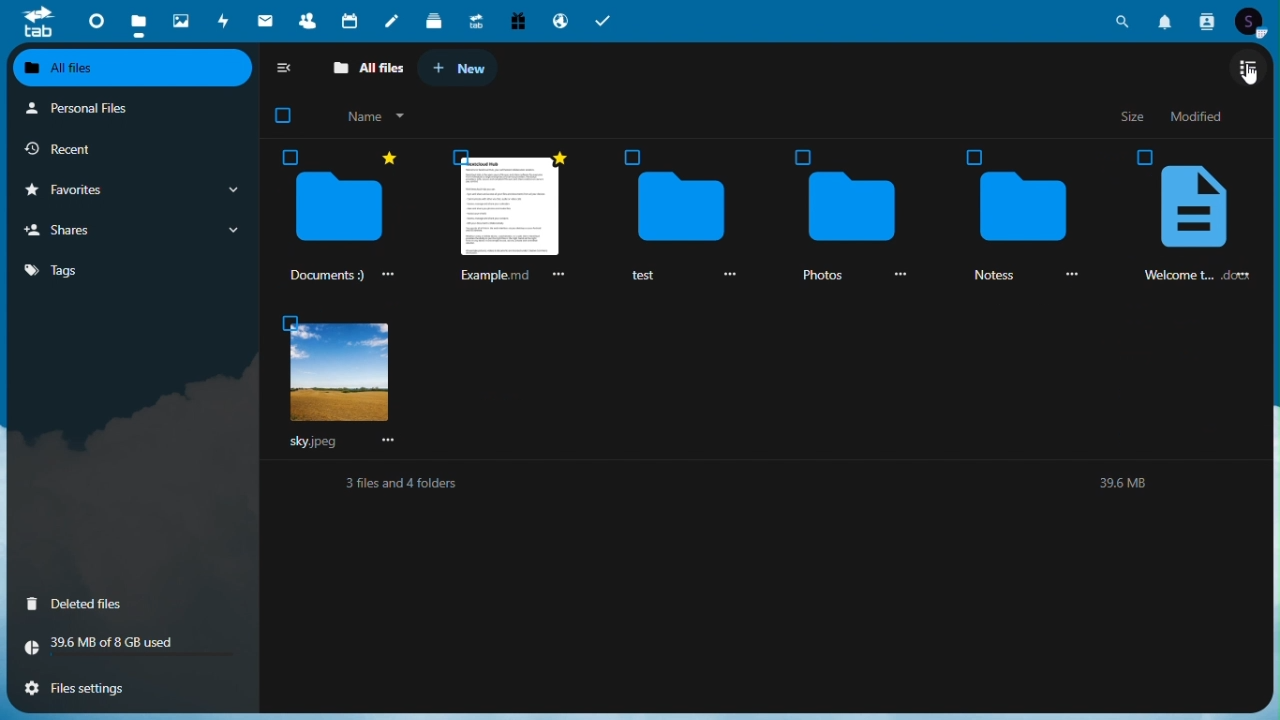  What do you see at coordinates (133, 69) in the screenshot?
I see `all files` at bounding box center [133, 69].